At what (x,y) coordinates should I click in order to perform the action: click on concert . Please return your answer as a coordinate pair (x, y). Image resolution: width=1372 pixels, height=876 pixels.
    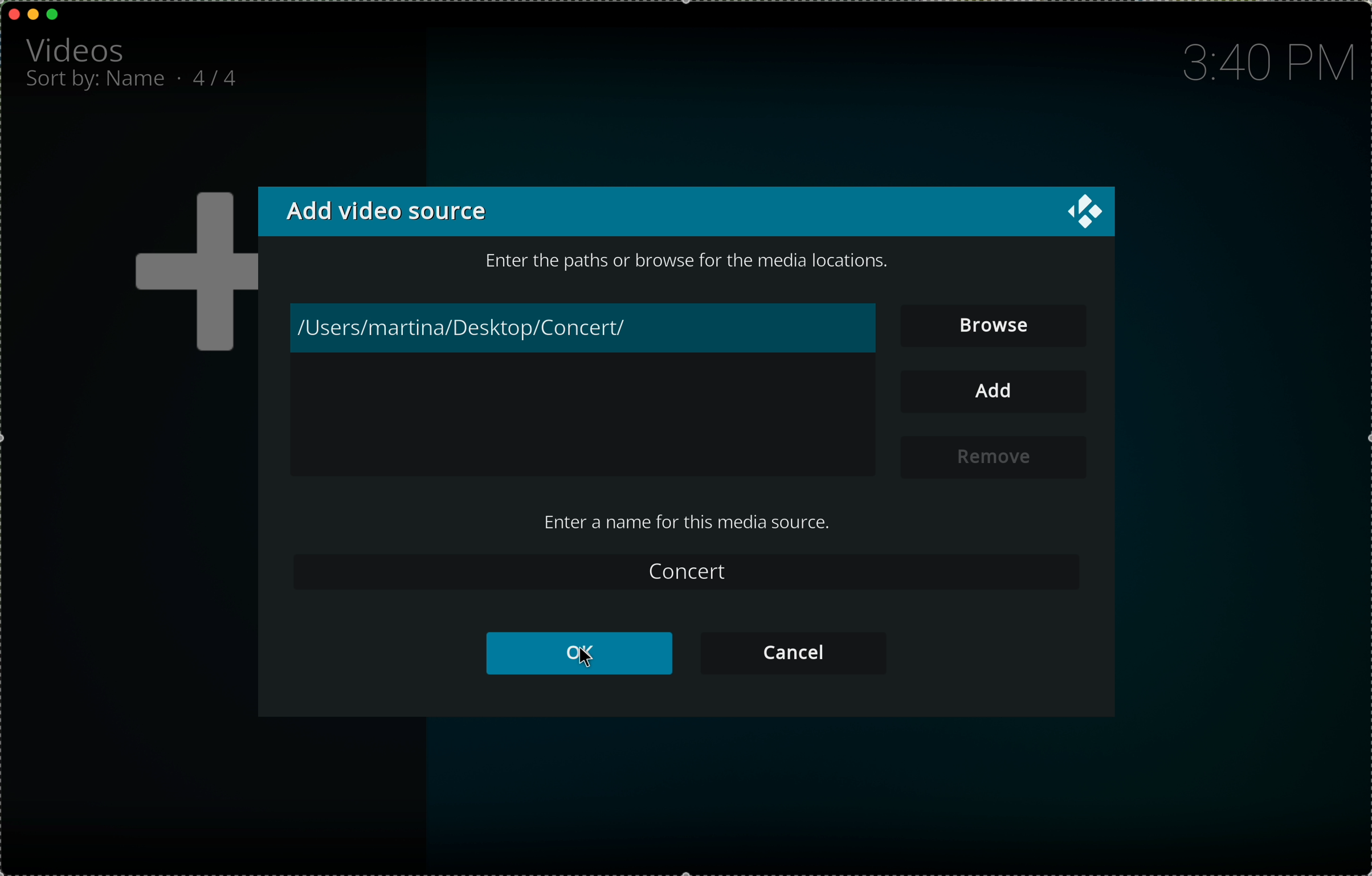
    Looking at the image, I should click on (686, 573).